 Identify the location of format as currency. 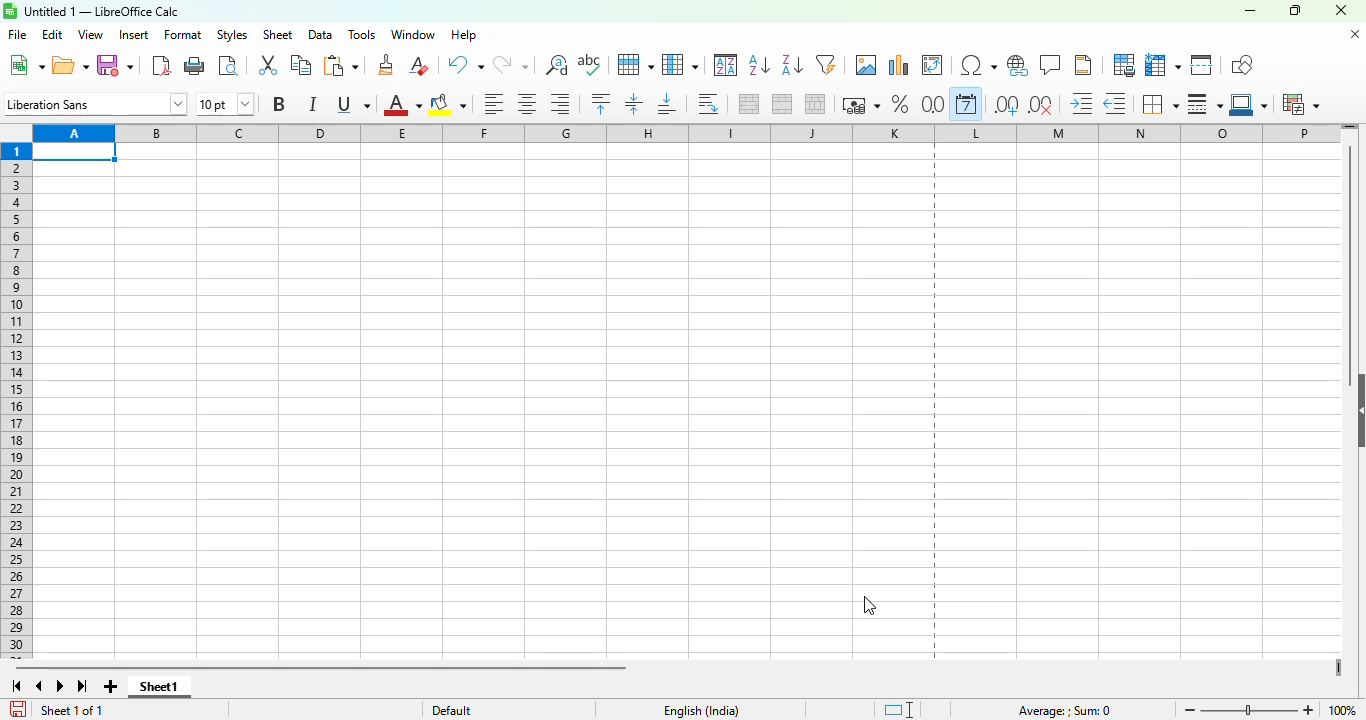
(860, 105).